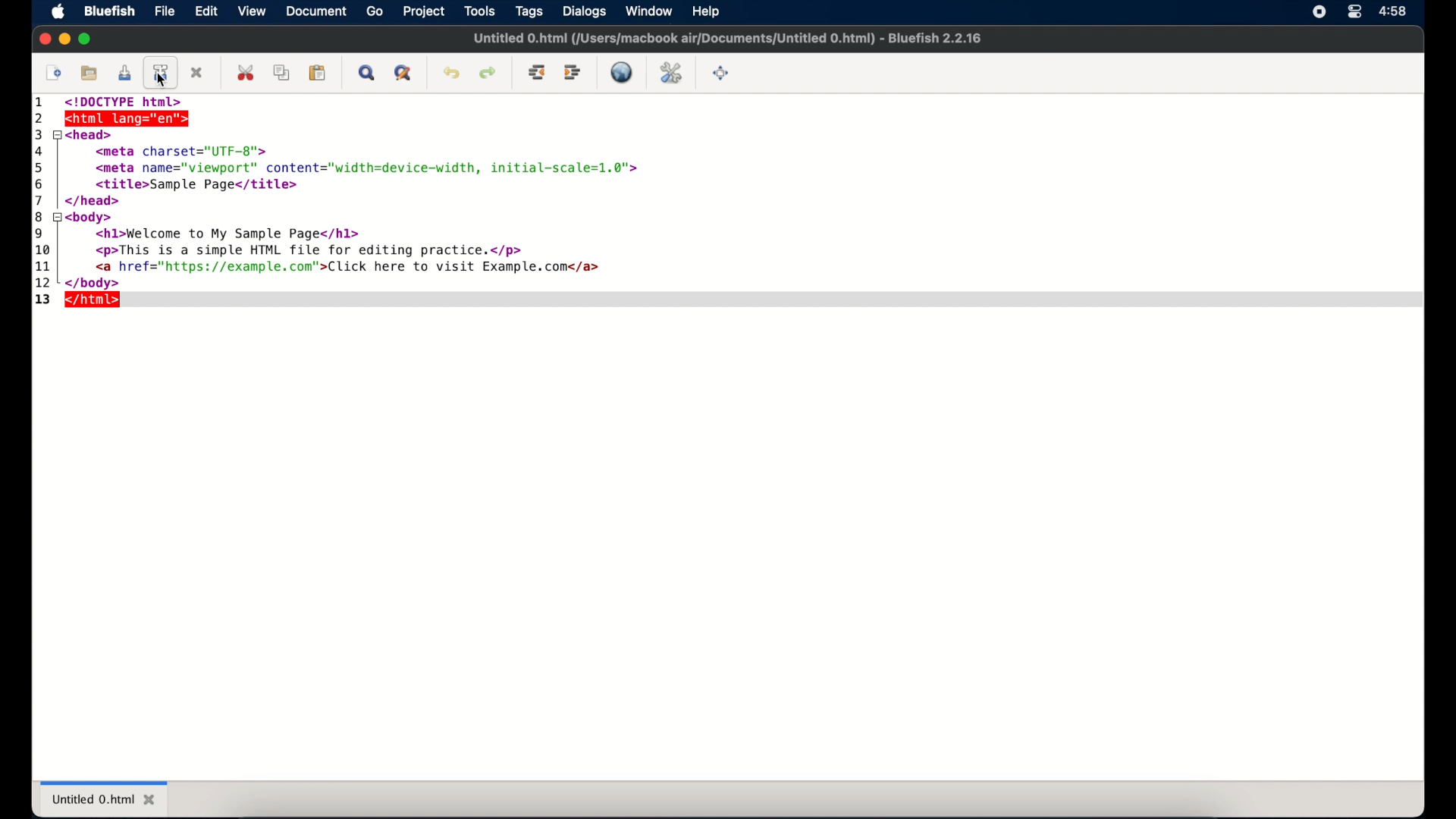  I want to click on file, so click(165, 11).